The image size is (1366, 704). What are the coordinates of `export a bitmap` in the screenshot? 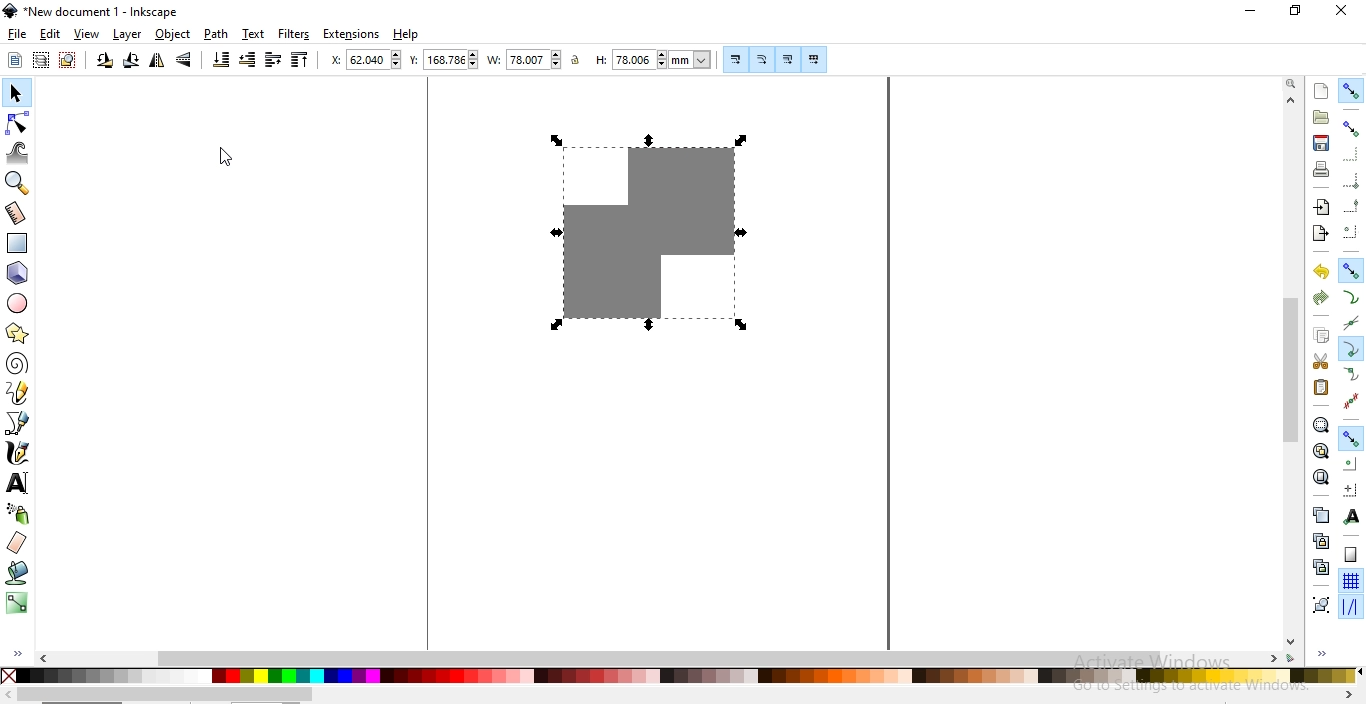 It's located at (1319, 234).